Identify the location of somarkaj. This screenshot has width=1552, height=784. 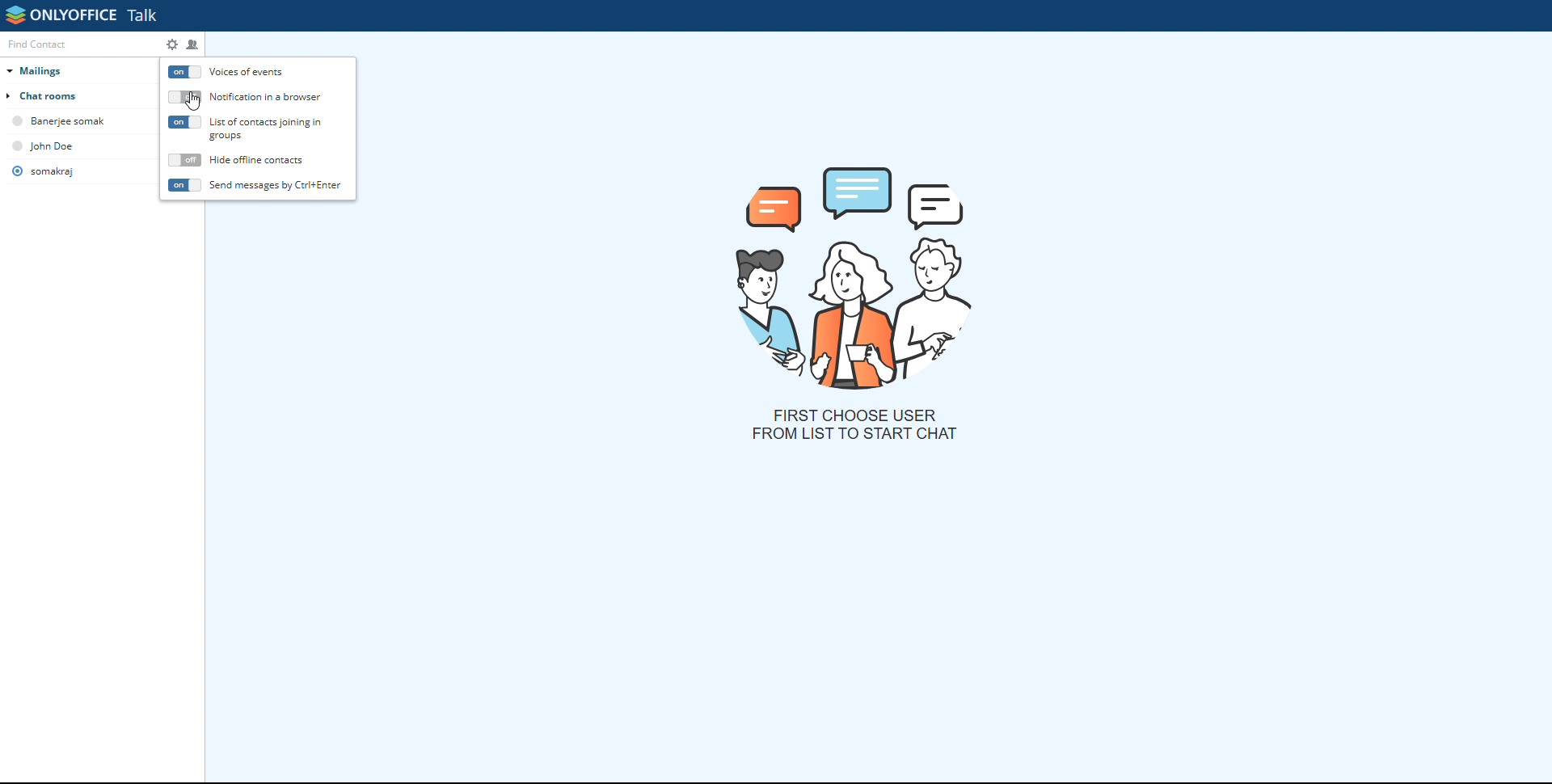
(53, 171).